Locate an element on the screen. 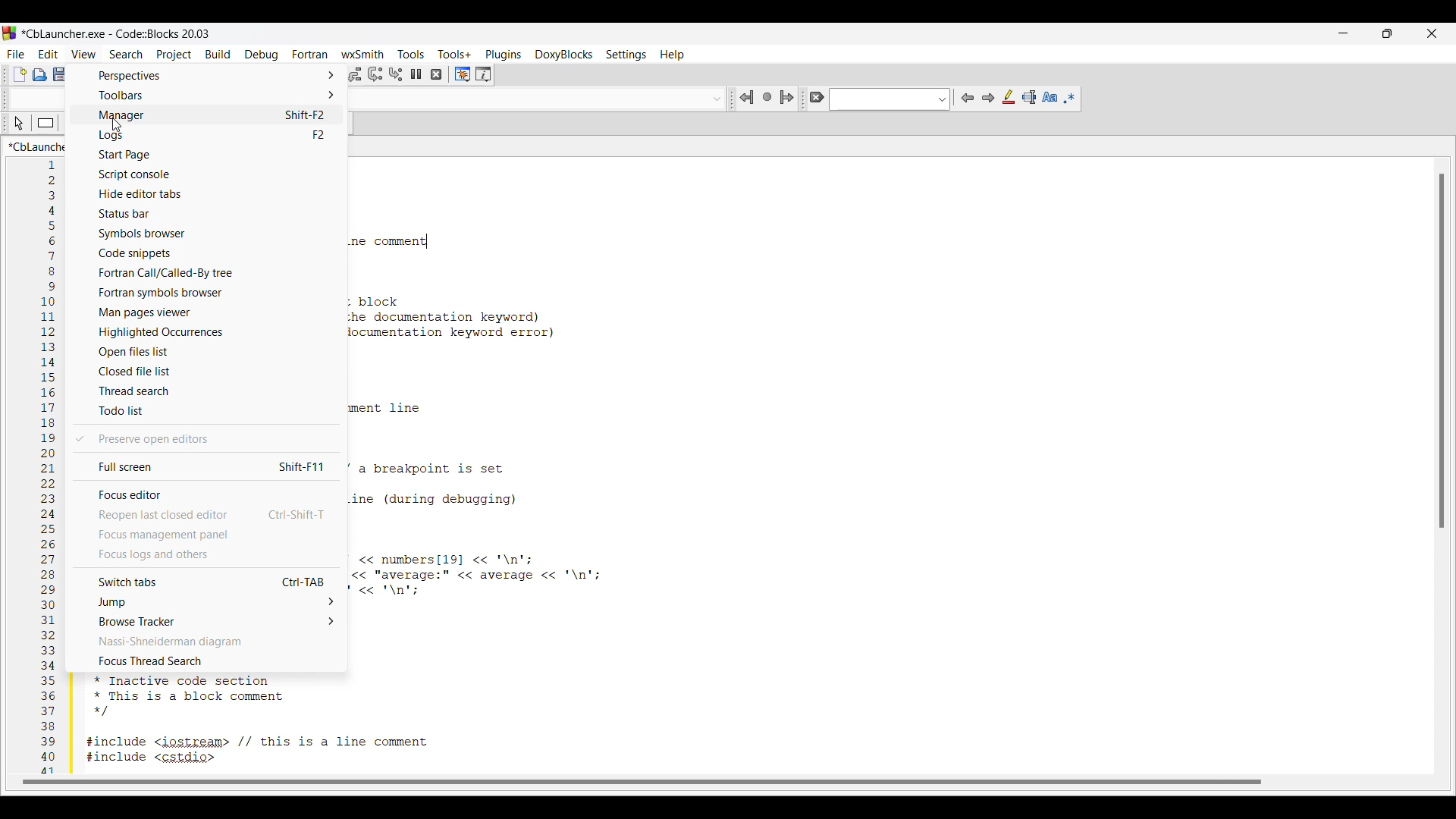 The image size is (1456, 819).  is located at coordinates (744, 99).